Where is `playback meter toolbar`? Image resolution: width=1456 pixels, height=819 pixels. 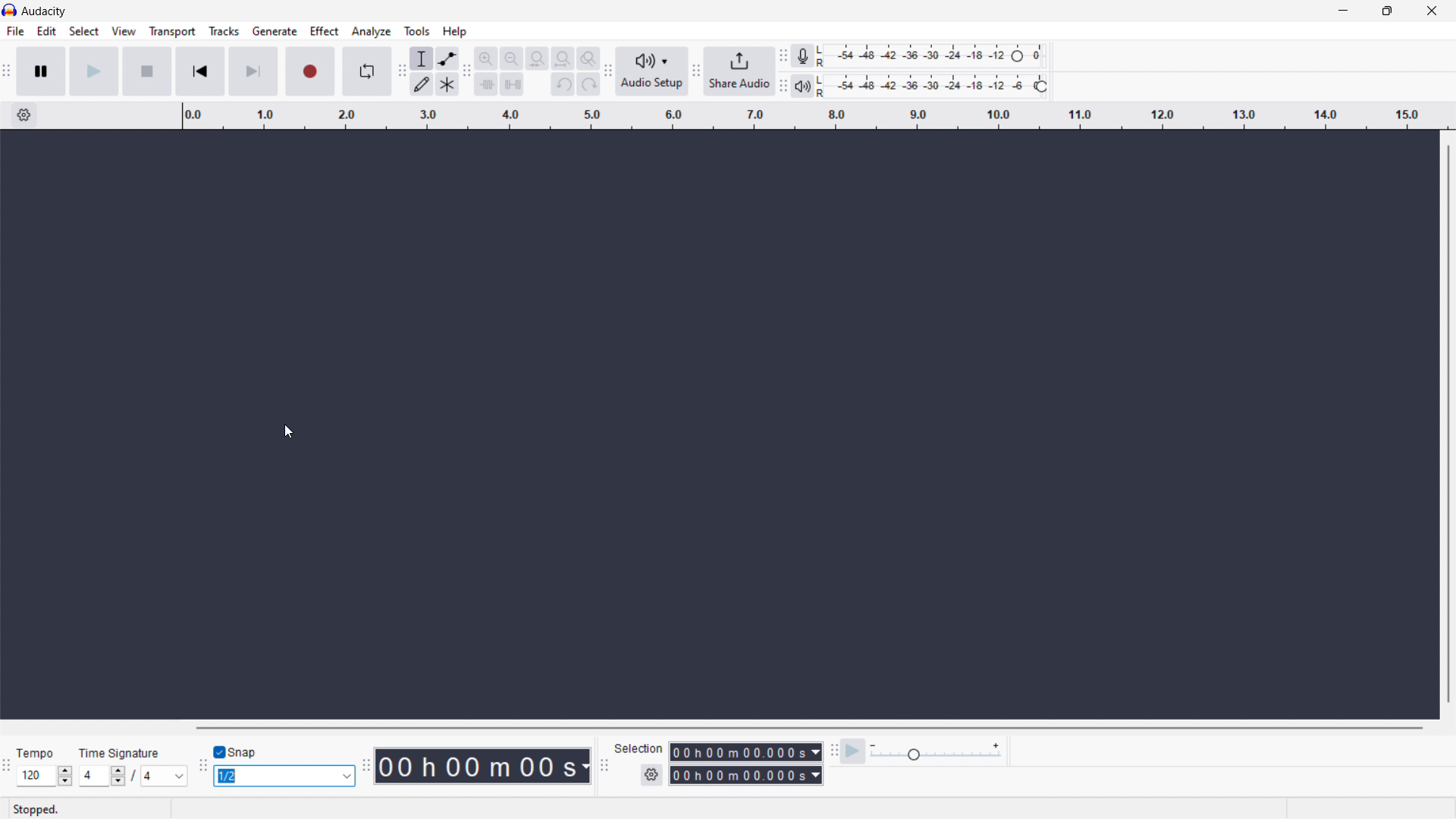 playback meter toolbar is located at coordinates (783, 86).